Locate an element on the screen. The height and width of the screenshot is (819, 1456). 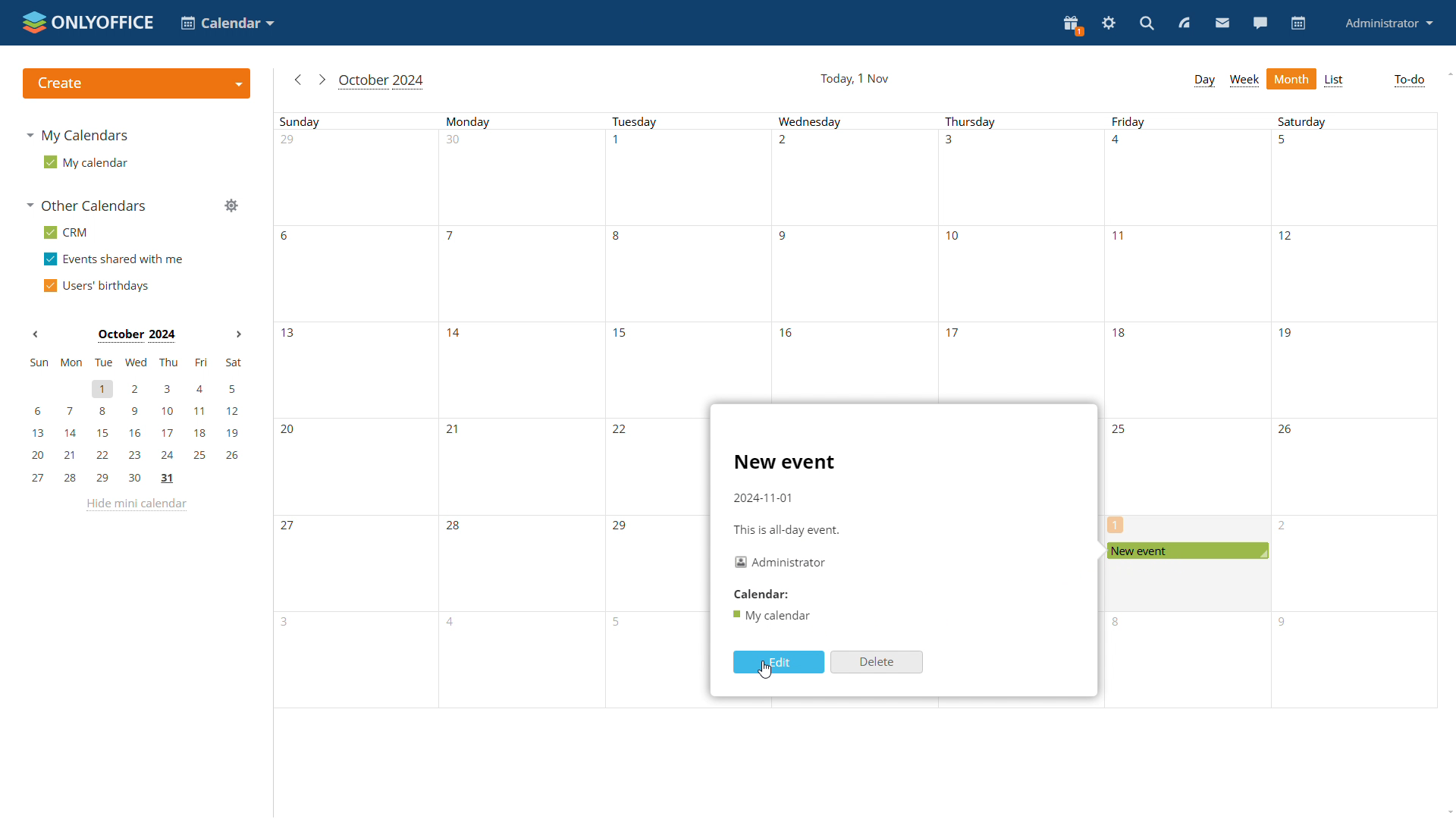
Previous month is located at coordinates (36, 336).